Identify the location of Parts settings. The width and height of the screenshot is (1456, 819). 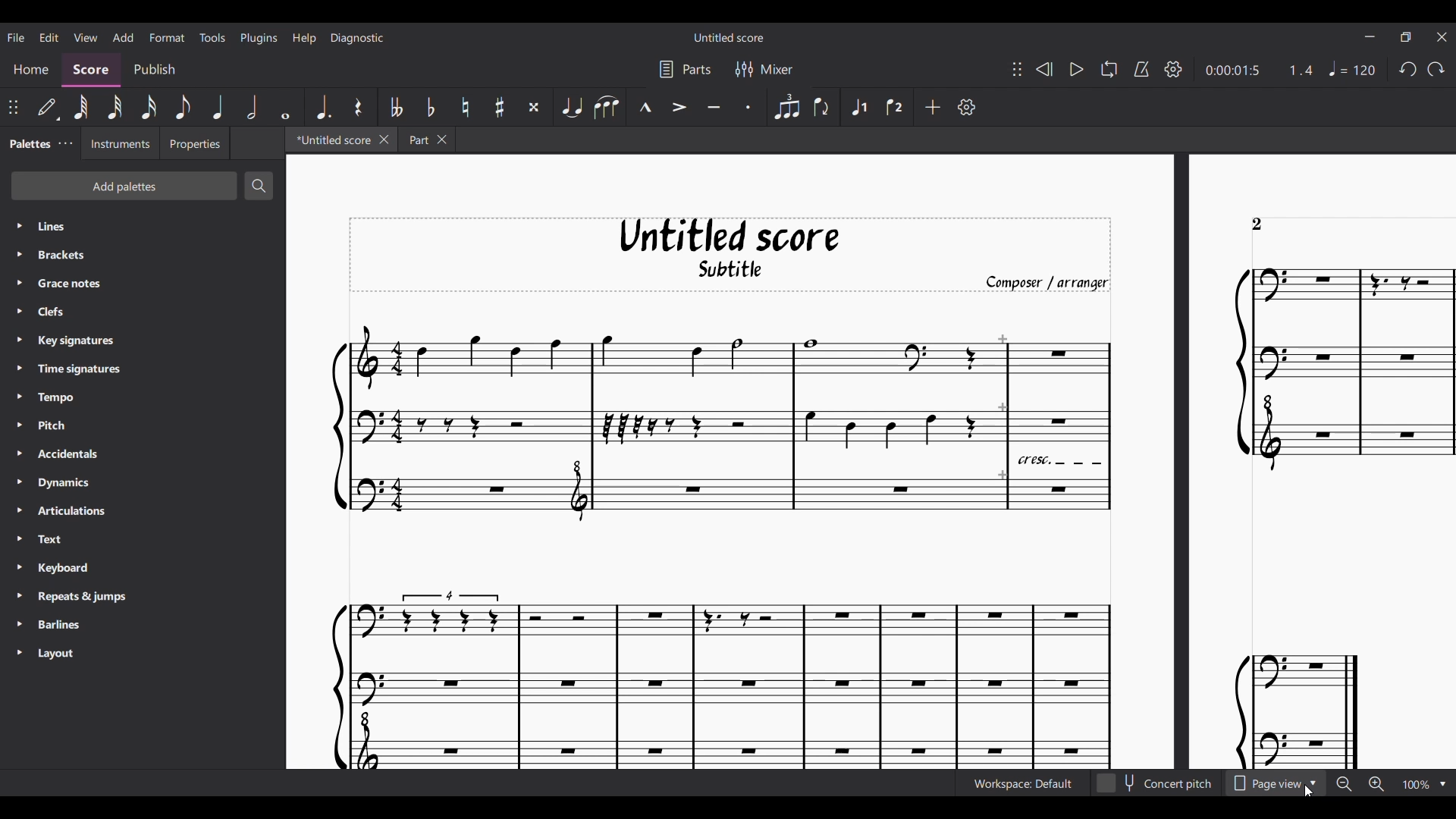
(686, 69).